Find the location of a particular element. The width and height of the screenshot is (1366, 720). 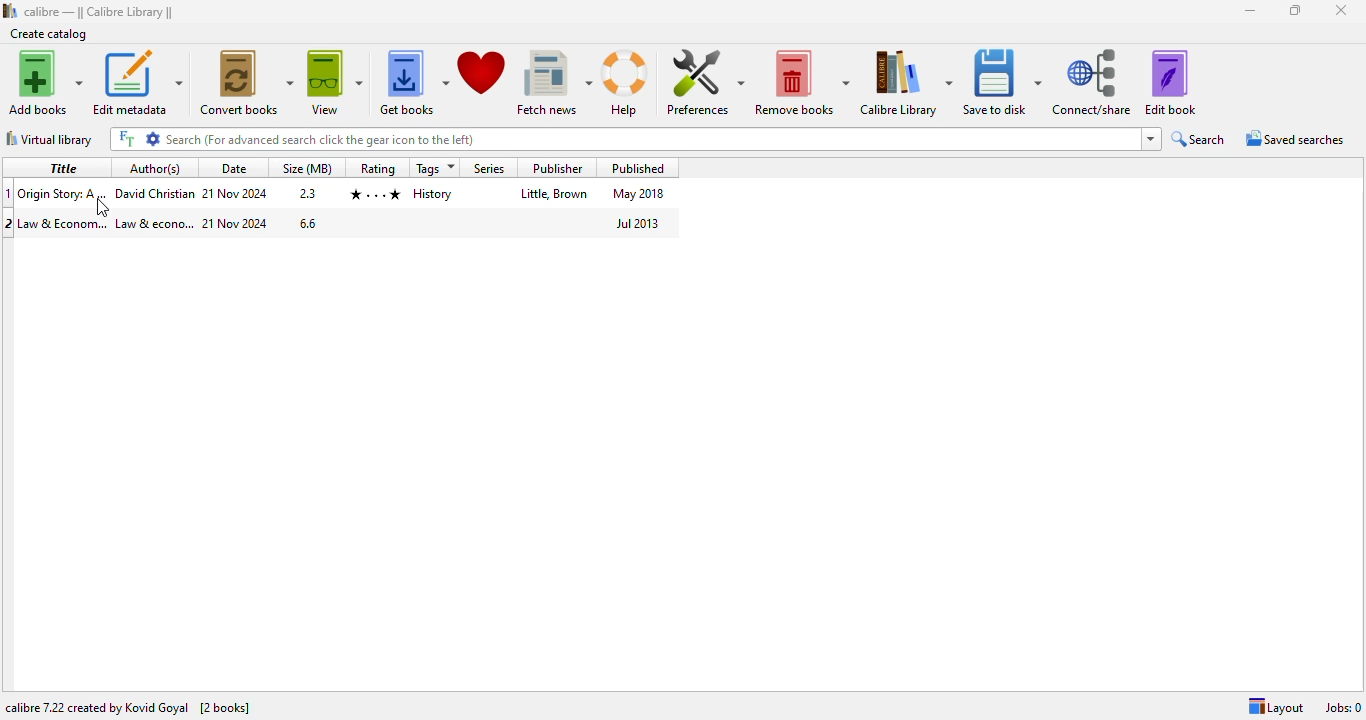

size in mbs is located at coordinates (307, 222).